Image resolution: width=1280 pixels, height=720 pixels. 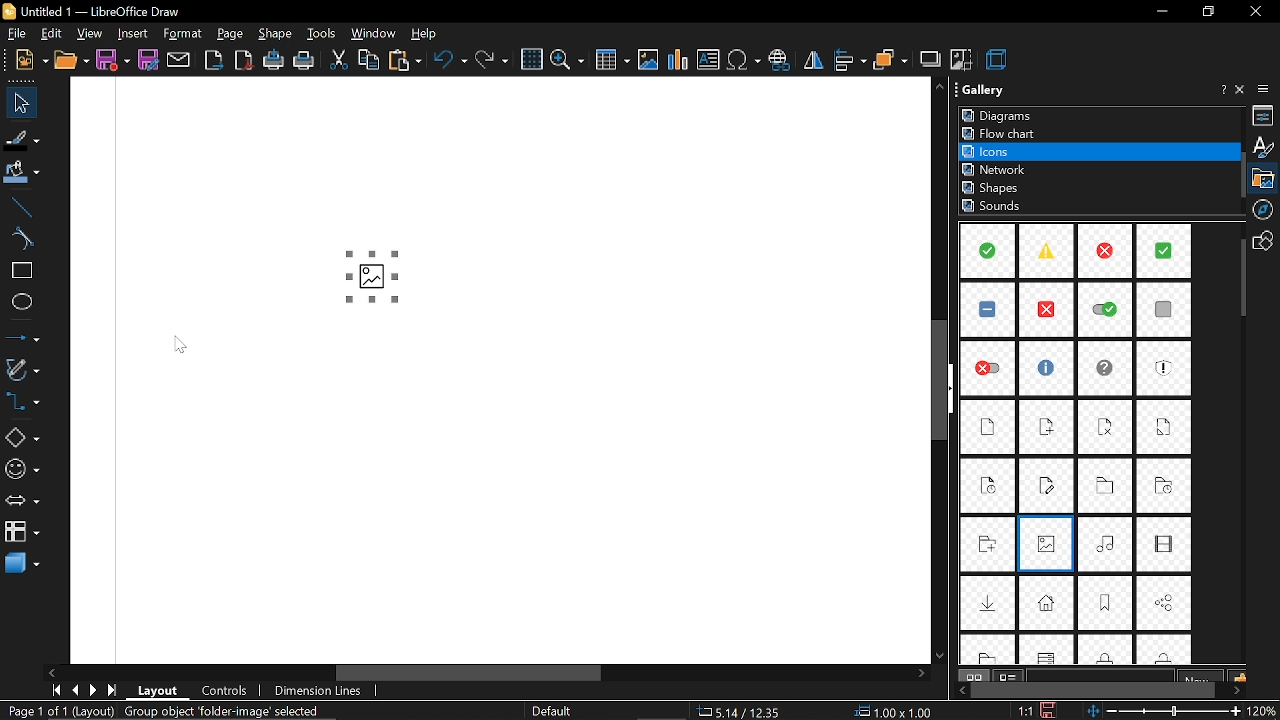 I want to click on icons, so click(x=999, y=151).